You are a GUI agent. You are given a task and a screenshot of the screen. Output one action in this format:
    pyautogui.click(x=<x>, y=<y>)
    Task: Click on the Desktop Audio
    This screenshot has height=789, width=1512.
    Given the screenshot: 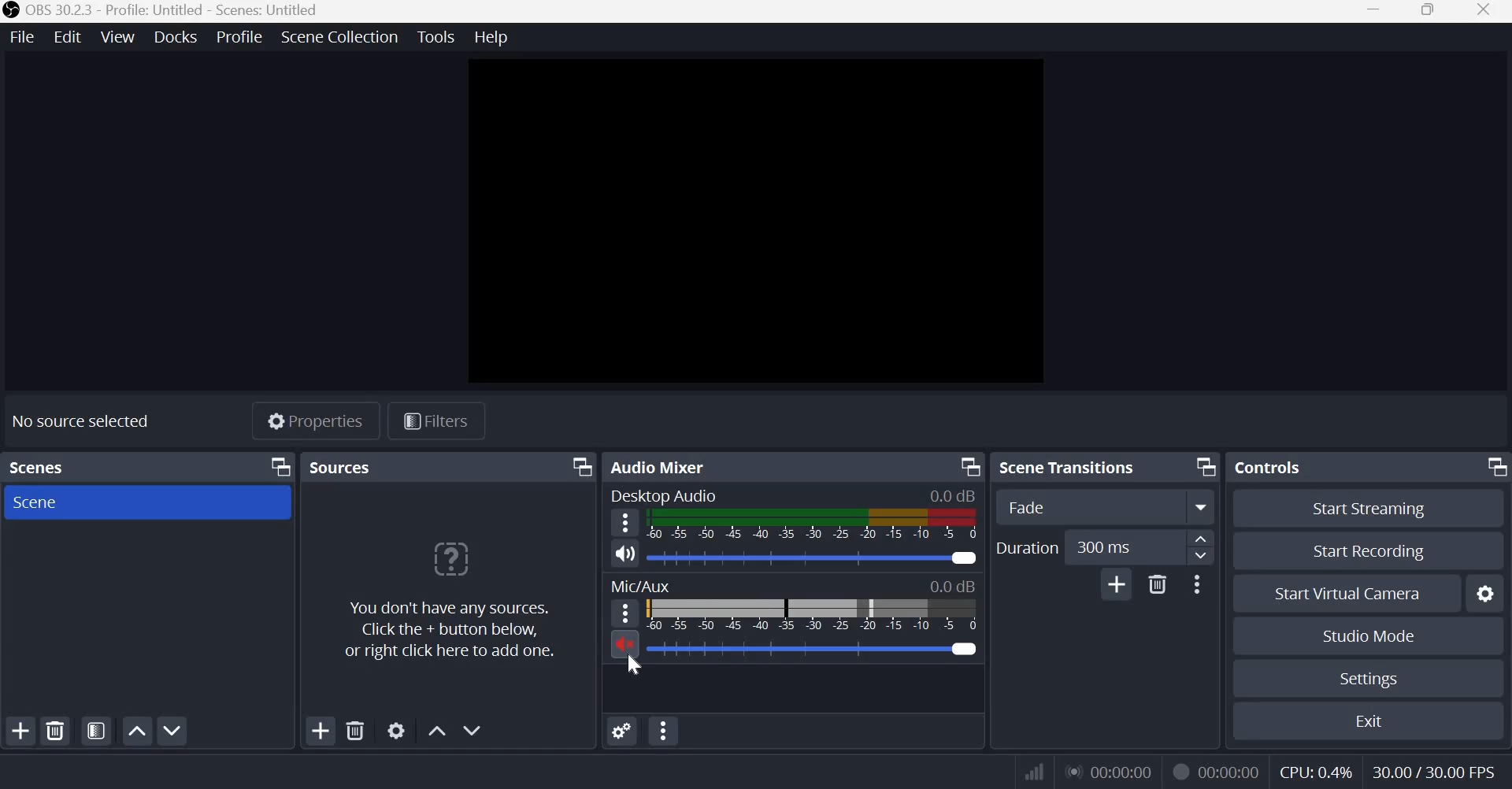 What is the action you would take?
    pyautogui.click(x=665, y=497)
    